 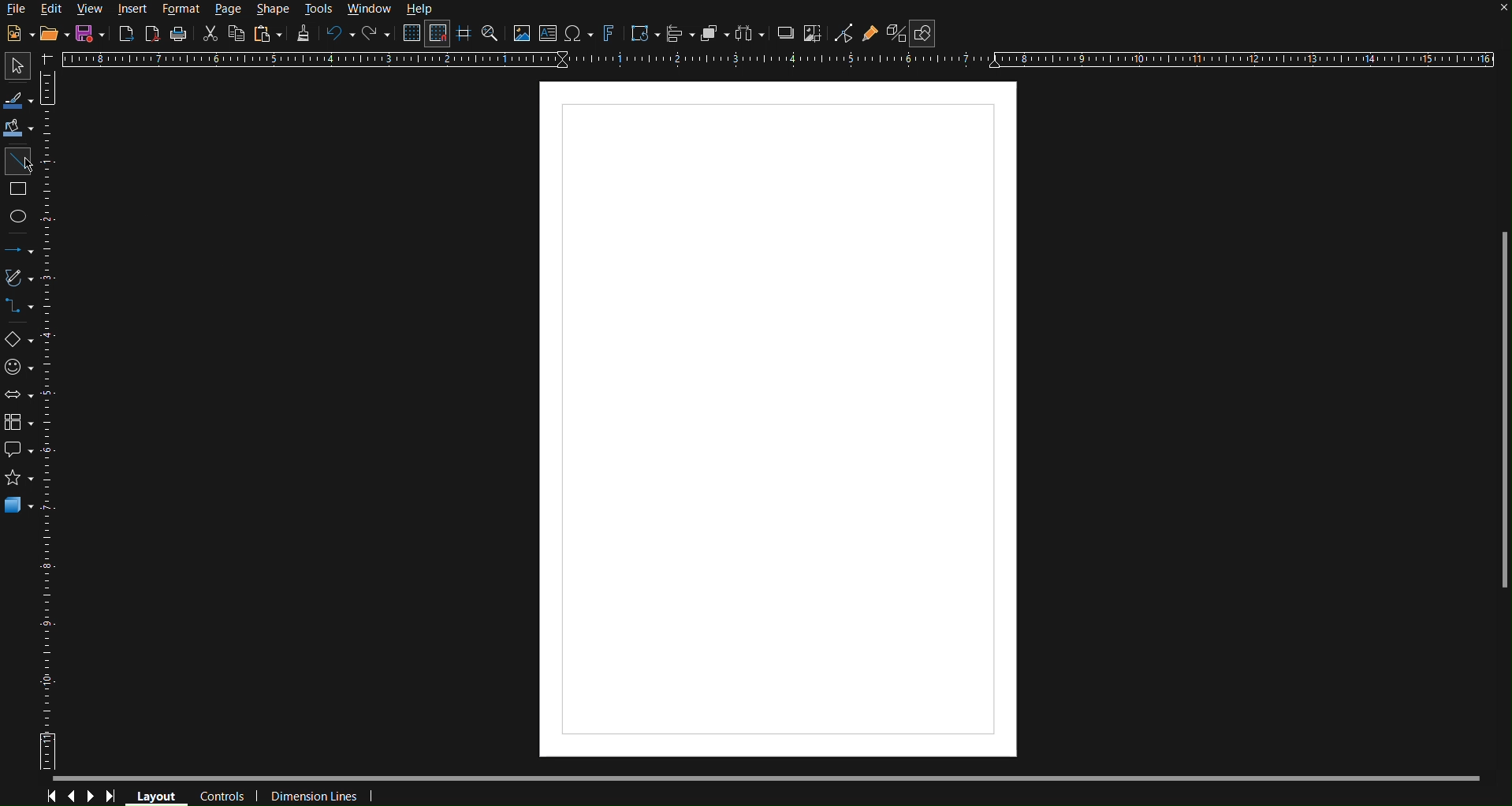 What do you see at coordinates (18, 367) in the screenshot?
I see `Symbol Shapes` at bounding box center [18, 367].